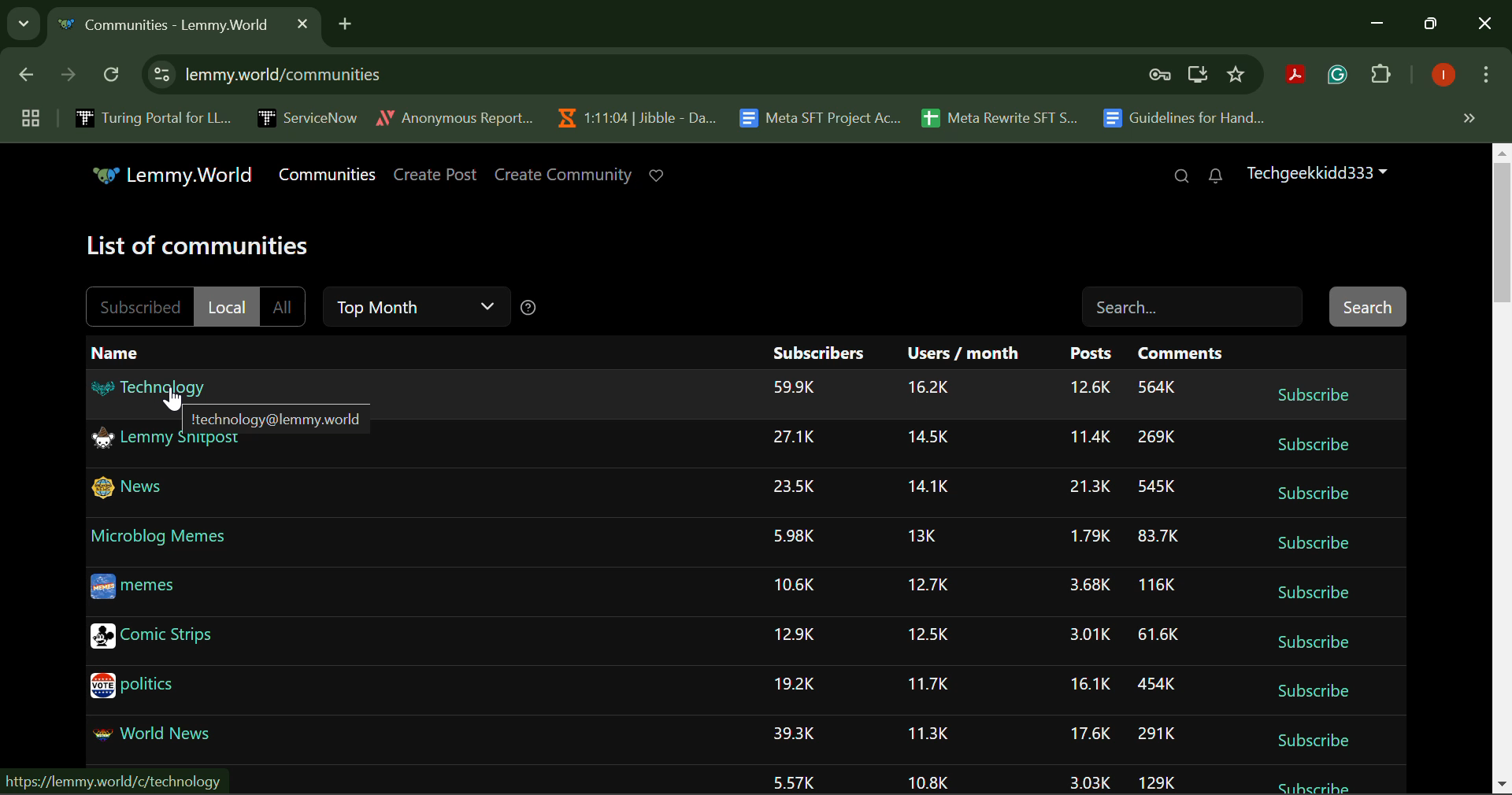 The width and height of the screenshot is (1512, 795). I want to click on Subscribe Button, so click(1314, 644).